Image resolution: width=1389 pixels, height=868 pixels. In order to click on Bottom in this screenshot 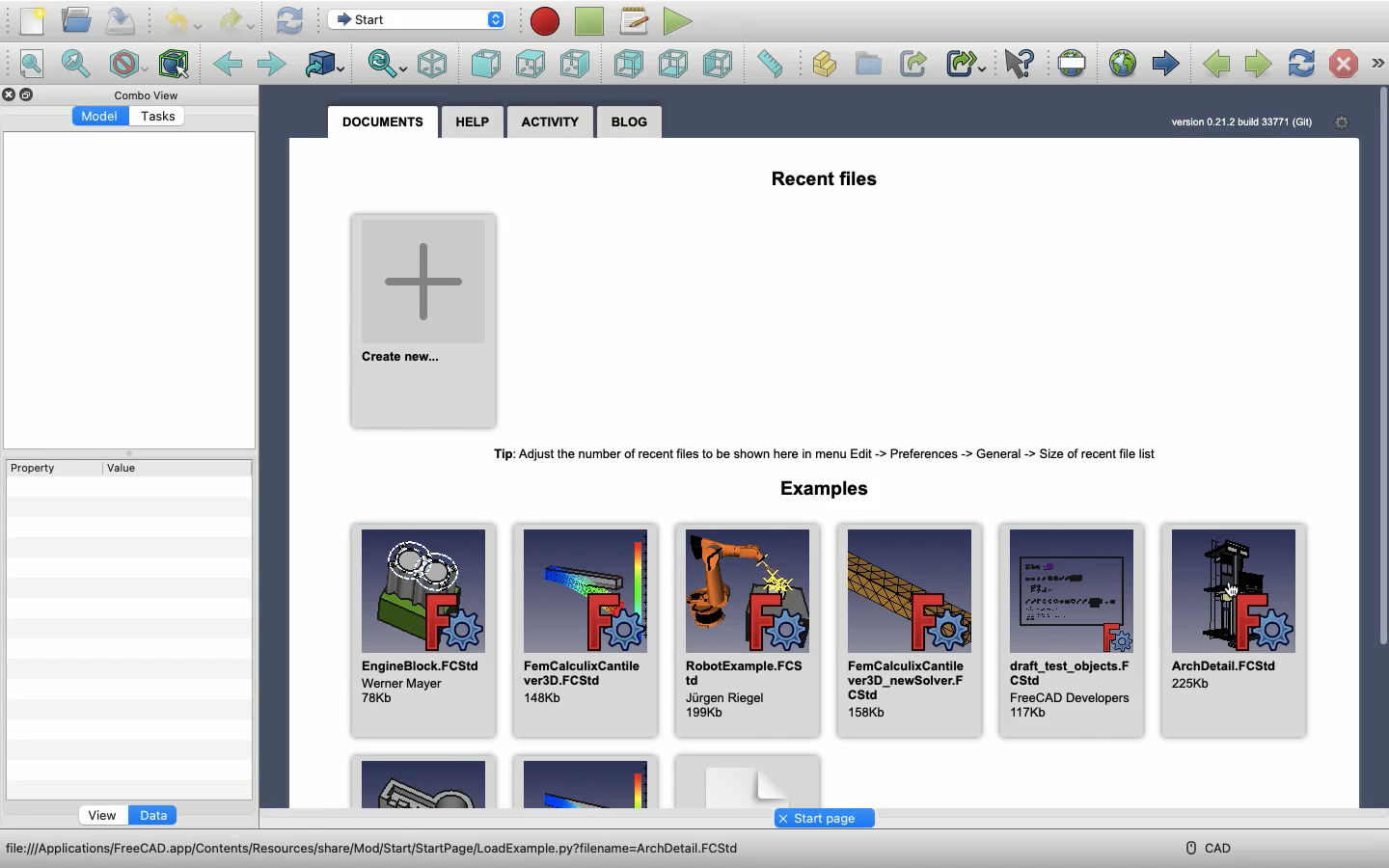, I will do `click(670, 65)`.